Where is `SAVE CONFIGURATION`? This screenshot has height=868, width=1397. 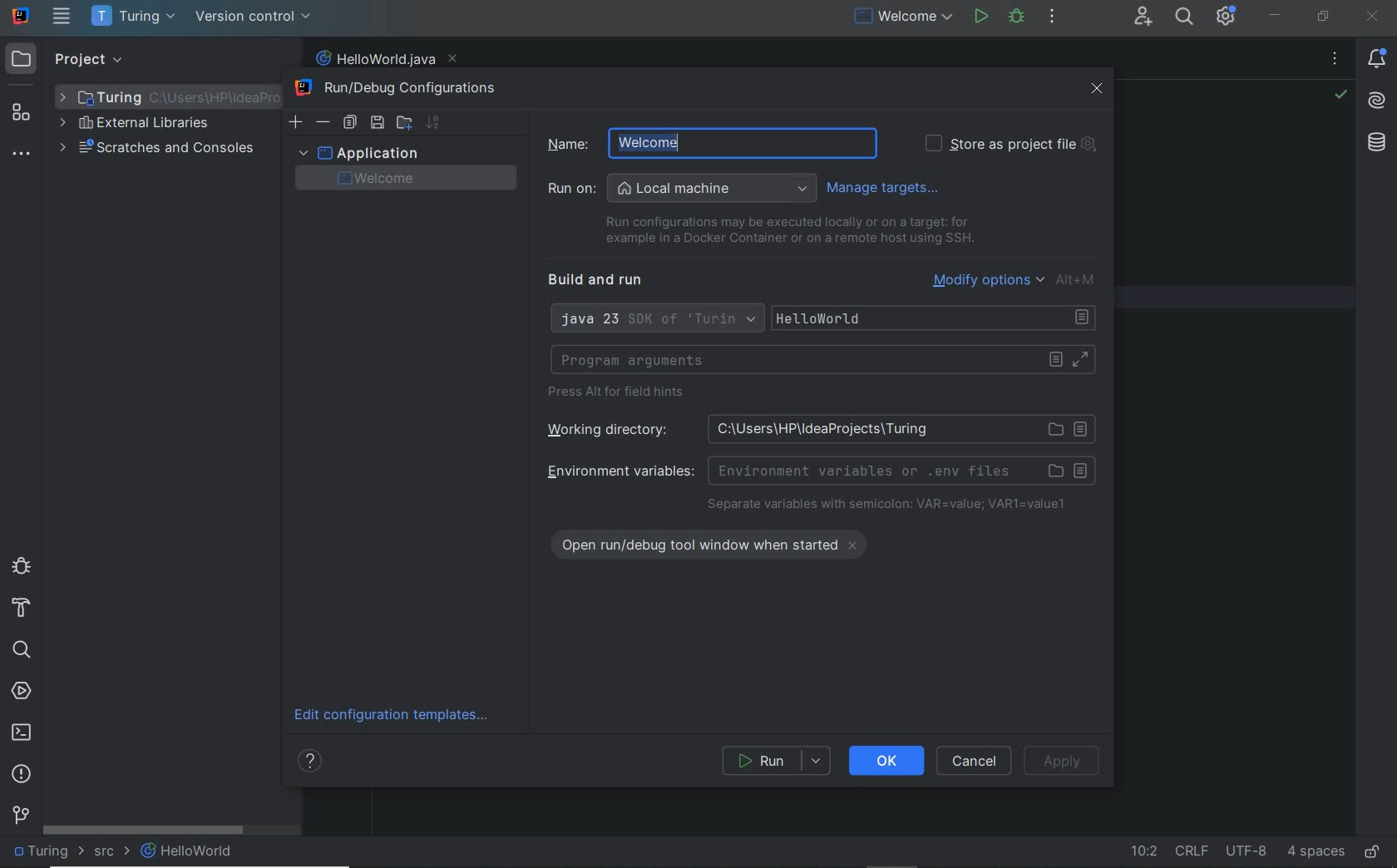
SAVE CONFIGURATION is located at coordinates (377, 123).